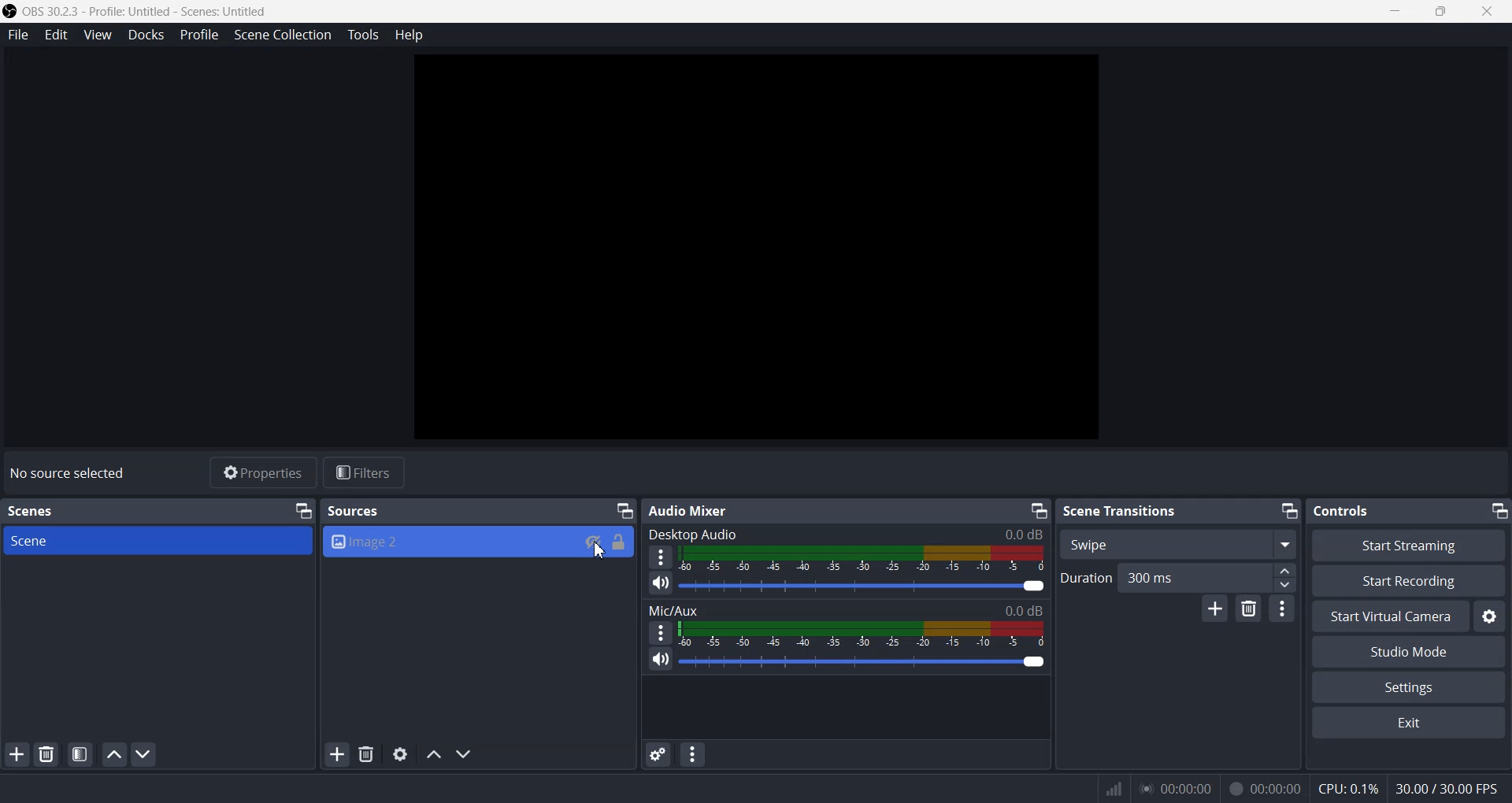 Image resolution: width=1512 pixels, height=803 pixels. Describe the element at coordinates (692, 509) in the screenshot. I see `Audio Mixer` at that location.